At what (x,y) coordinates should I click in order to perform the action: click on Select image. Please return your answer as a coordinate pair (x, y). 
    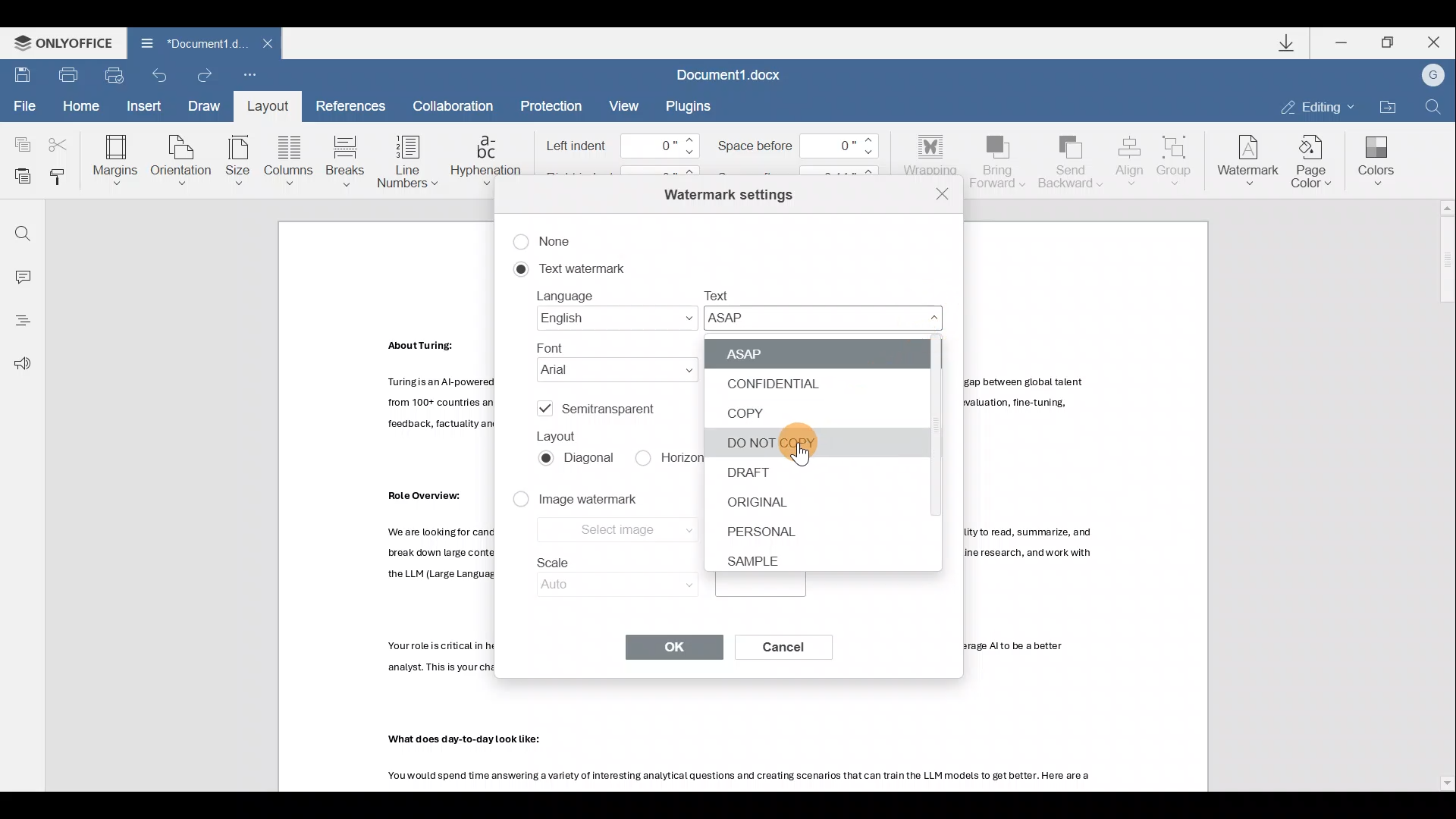
    Looking at the image, I should click on (616, 532).